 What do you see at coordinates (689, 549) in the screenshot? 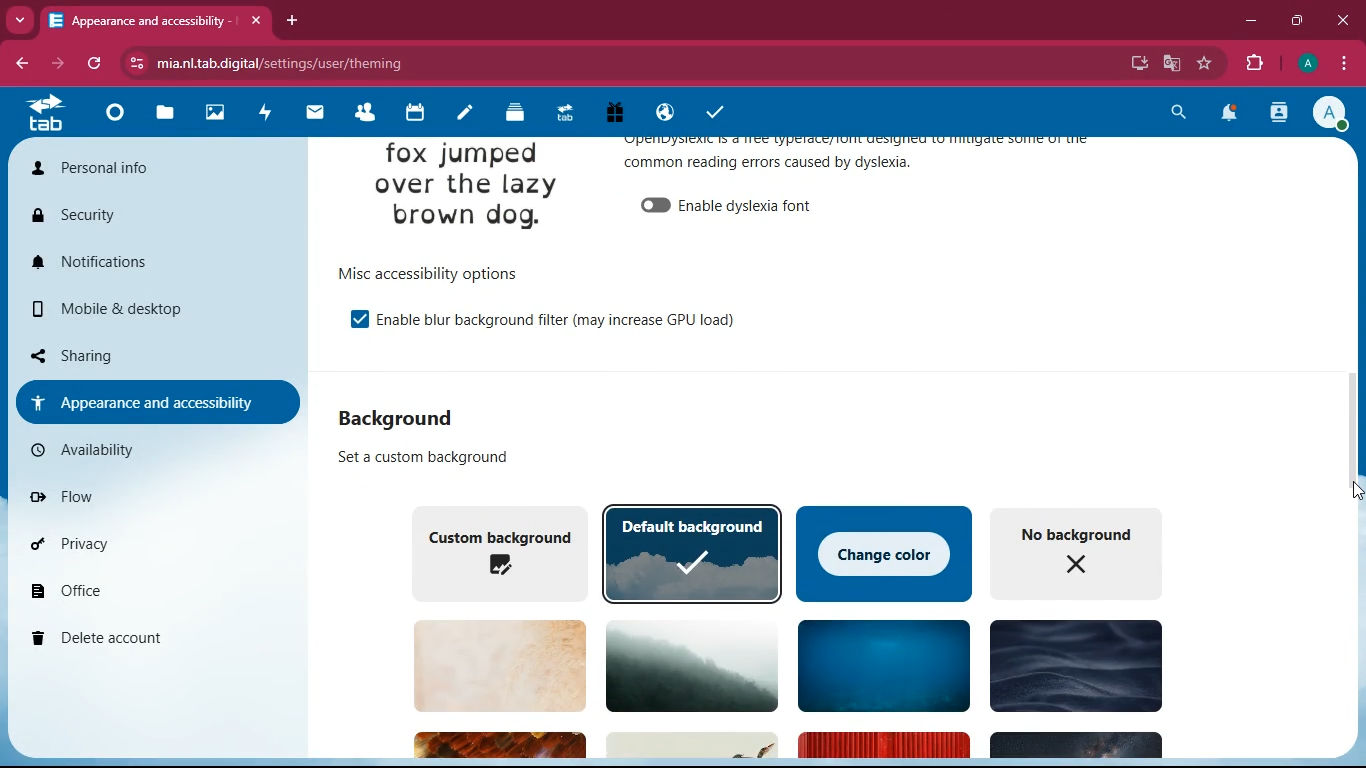
I see `default` at bounding box center [689, 549].